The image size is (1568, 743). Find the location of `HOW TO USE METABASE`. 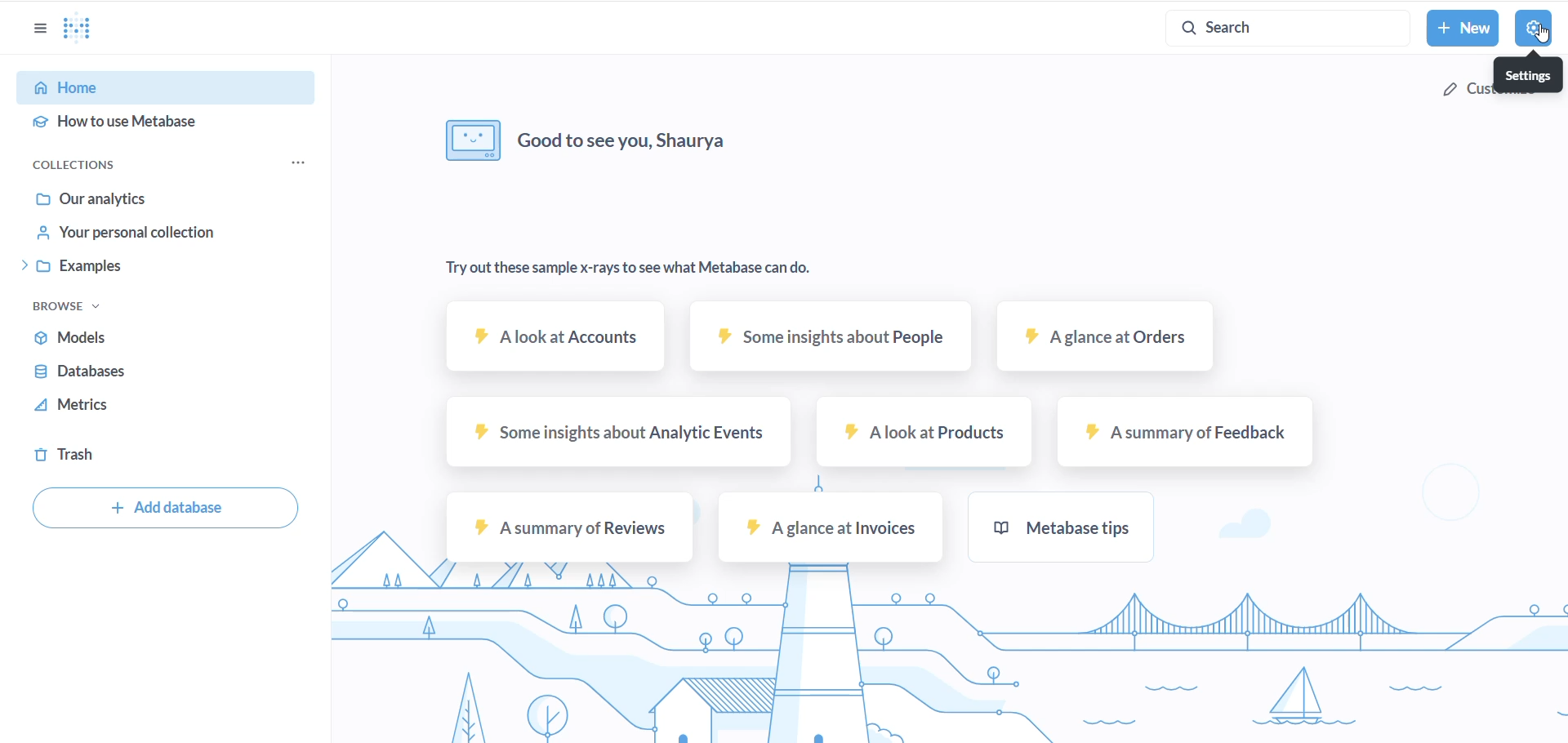

HOW TO USE METABASE is located at coordinates (141, 123).